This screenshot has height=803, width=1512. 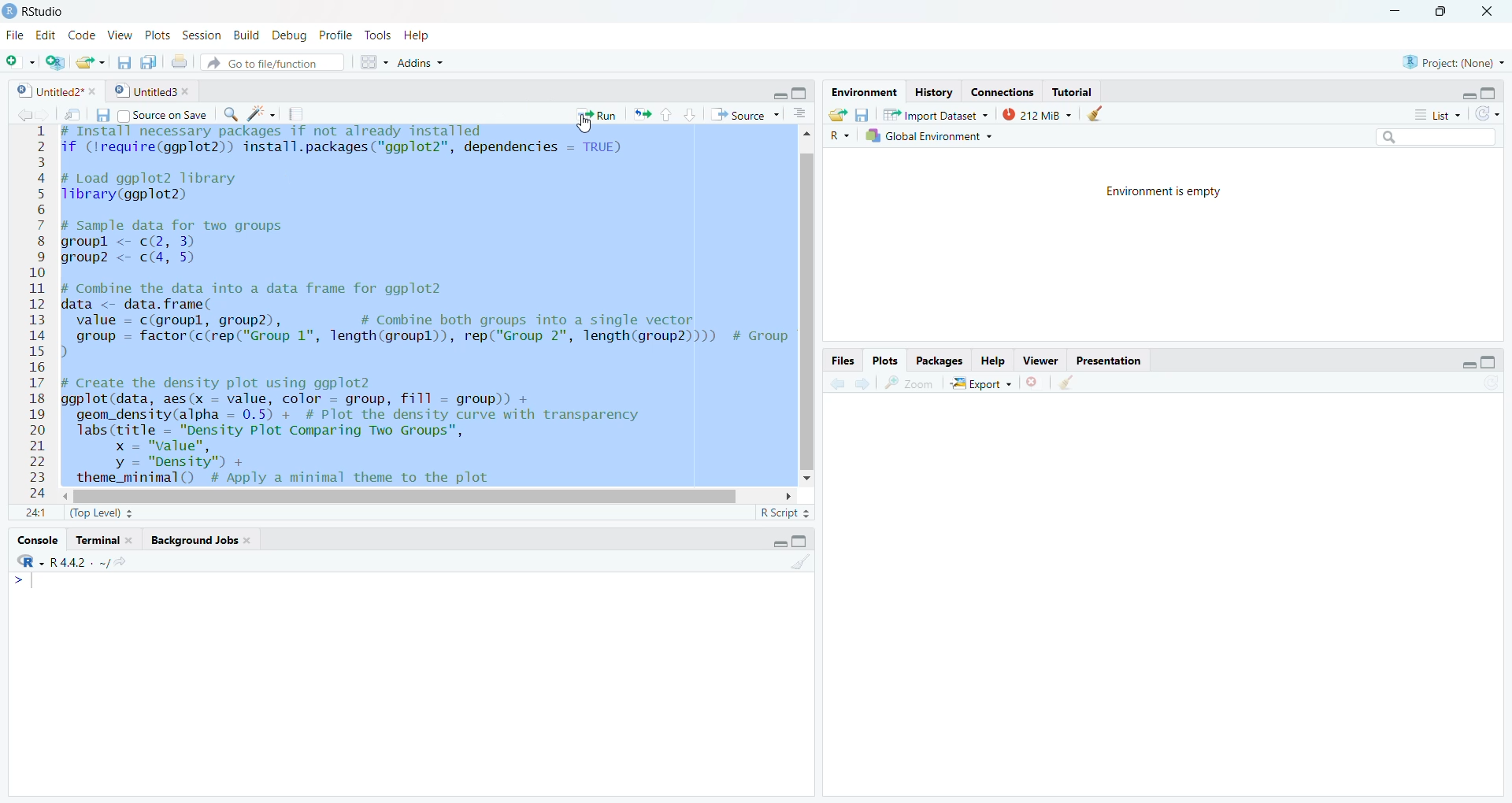 What do you see at coordinates (159, 35) in the screenshot?
I see `ports` at bounding box center [159, 35].